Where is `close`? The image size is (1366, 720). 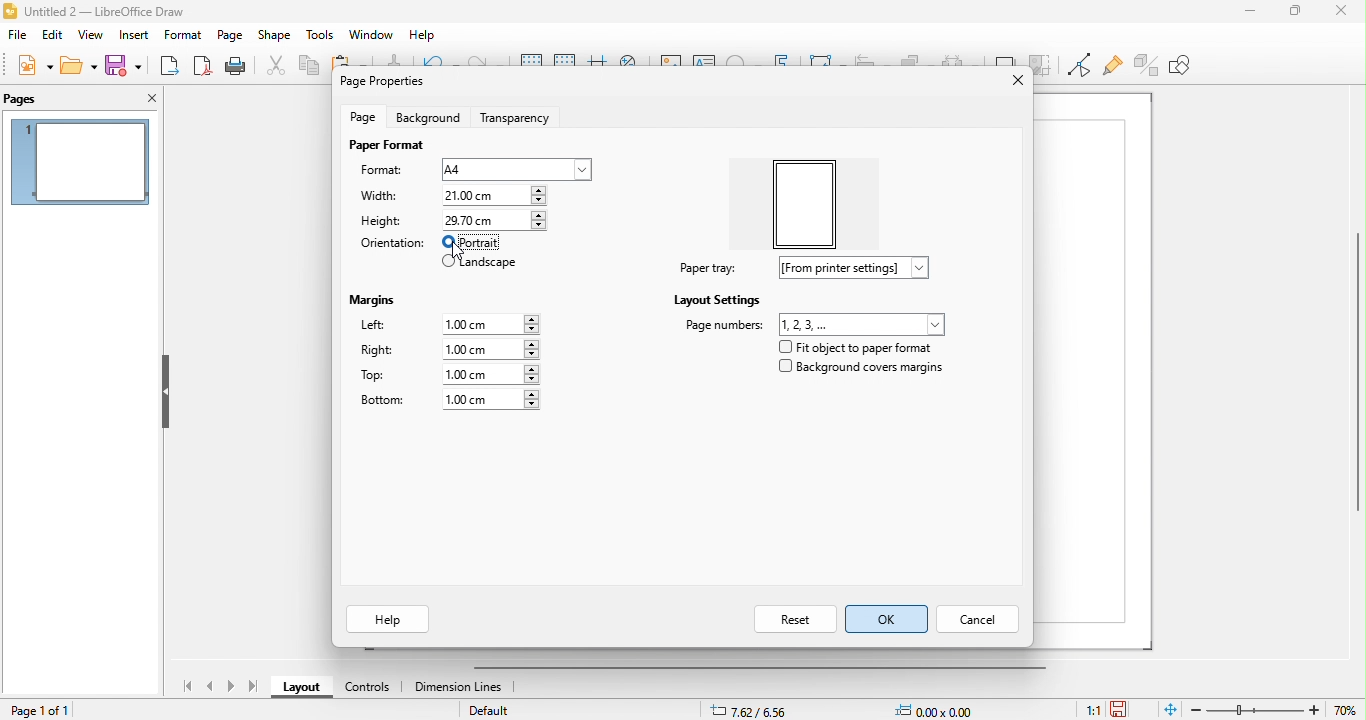
close is located at coordinates (1335, 14).